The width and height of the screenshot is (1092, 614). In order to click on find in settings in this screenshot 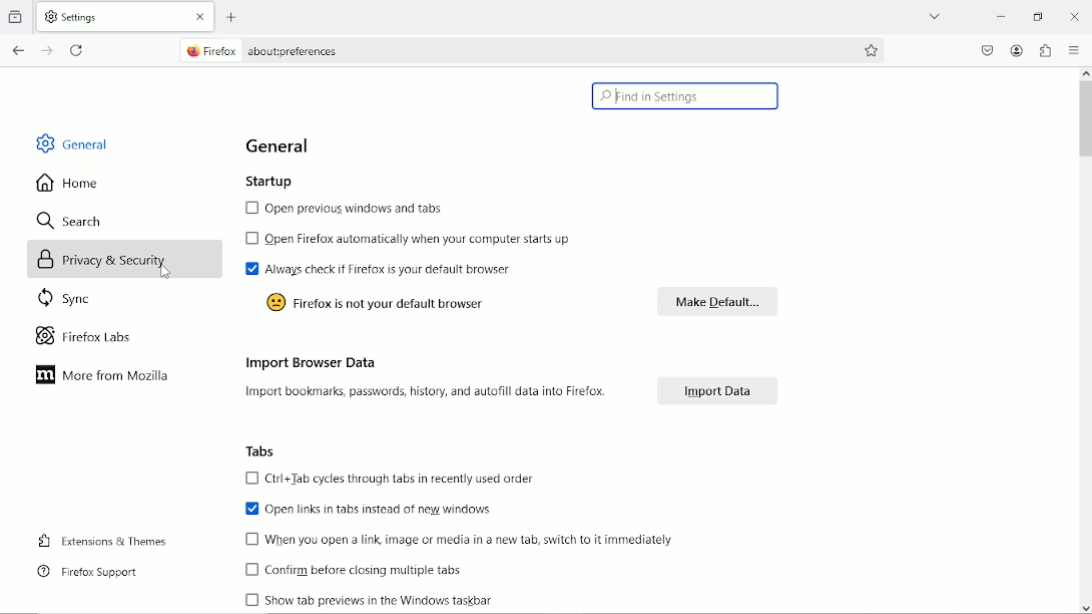, I will do `click(685, 97)`.